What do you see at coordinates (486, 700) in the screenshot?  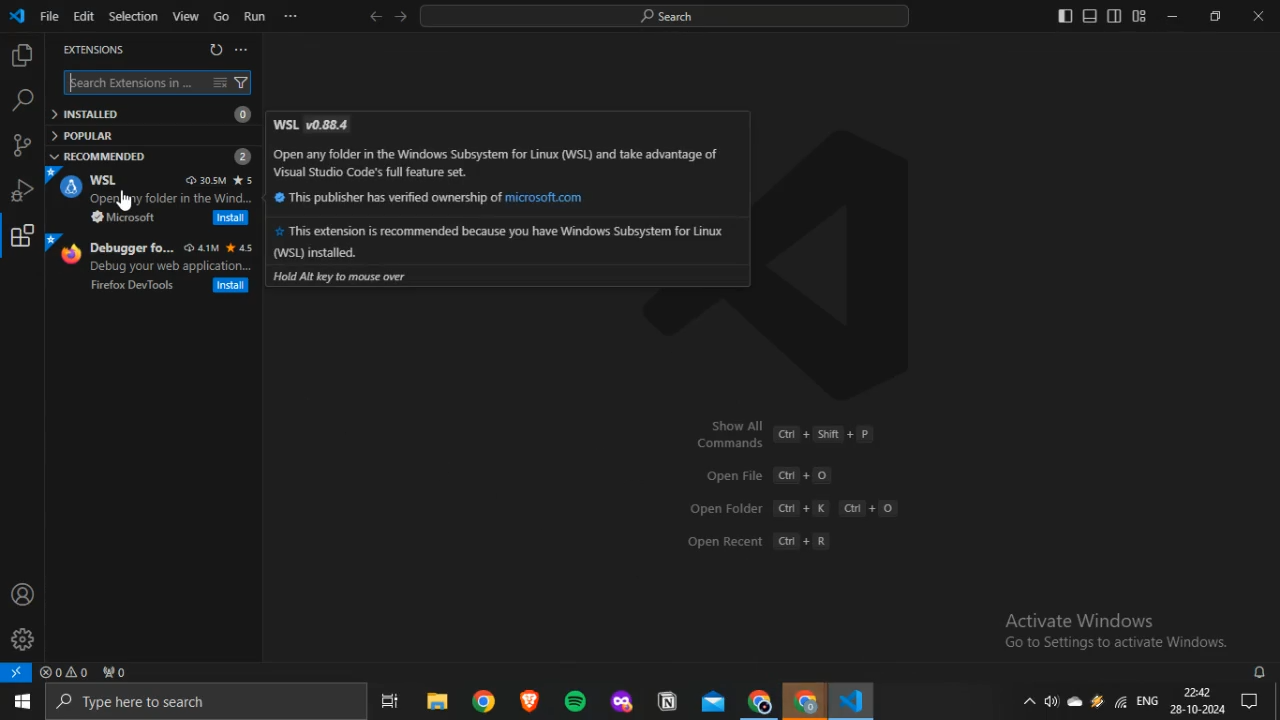 I see `google chrome` at bounding box center [486, 700].